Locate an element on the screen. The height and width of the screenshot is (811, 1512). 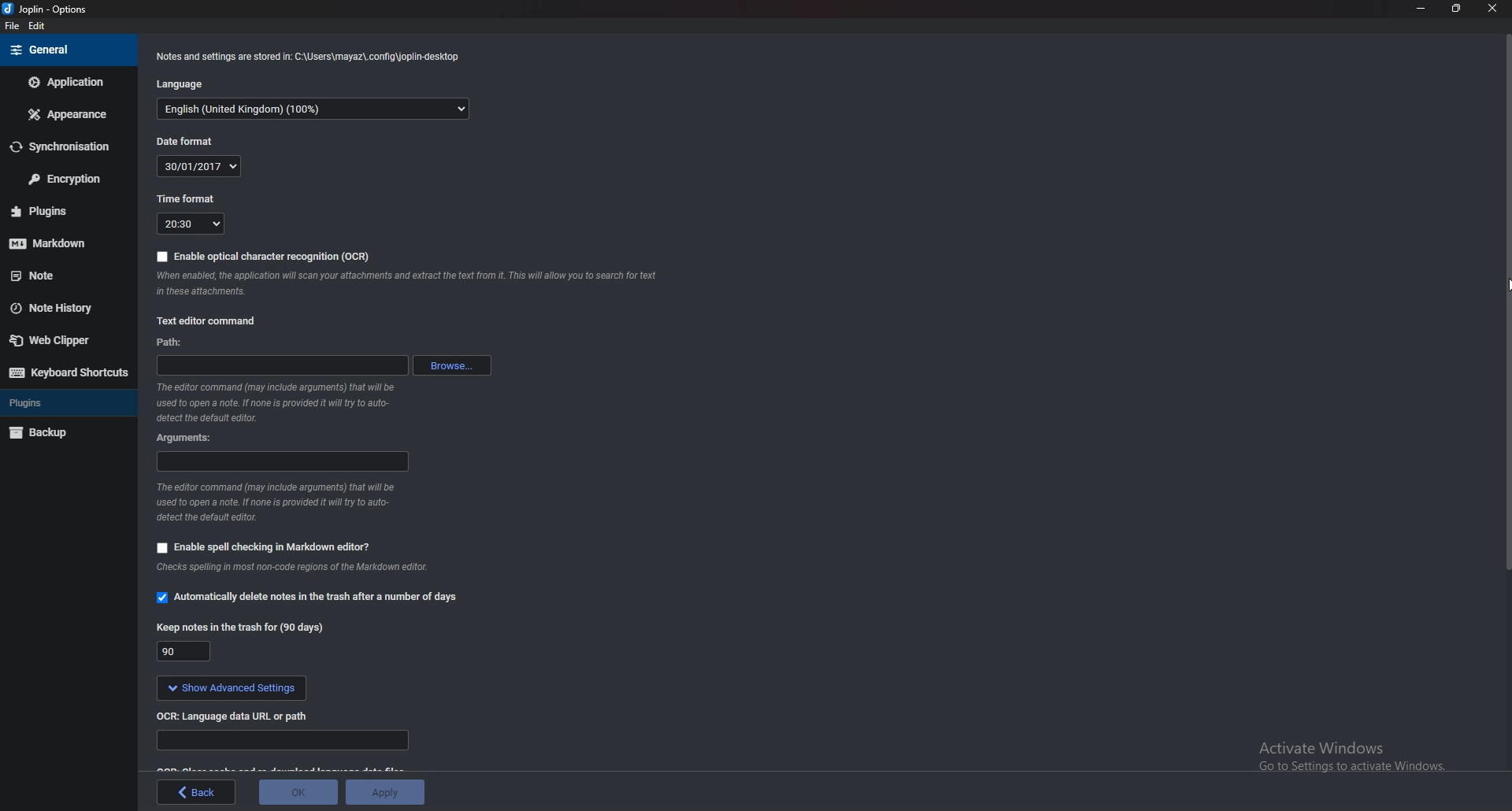
20:30 is located at coordinates (191, 224).